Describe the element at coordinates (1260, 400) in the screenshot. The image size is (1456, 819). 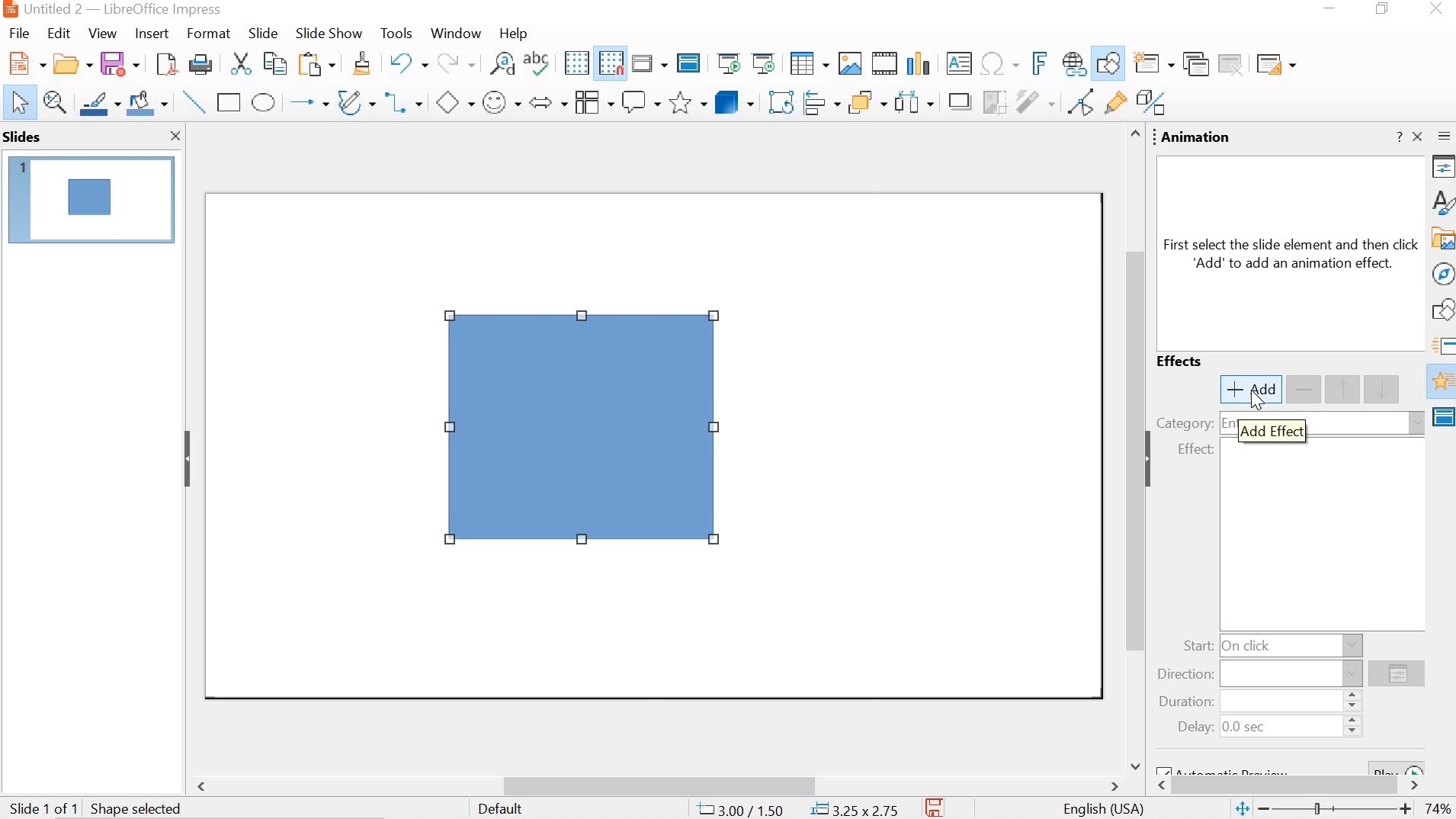
I see `Cursor` at that location.